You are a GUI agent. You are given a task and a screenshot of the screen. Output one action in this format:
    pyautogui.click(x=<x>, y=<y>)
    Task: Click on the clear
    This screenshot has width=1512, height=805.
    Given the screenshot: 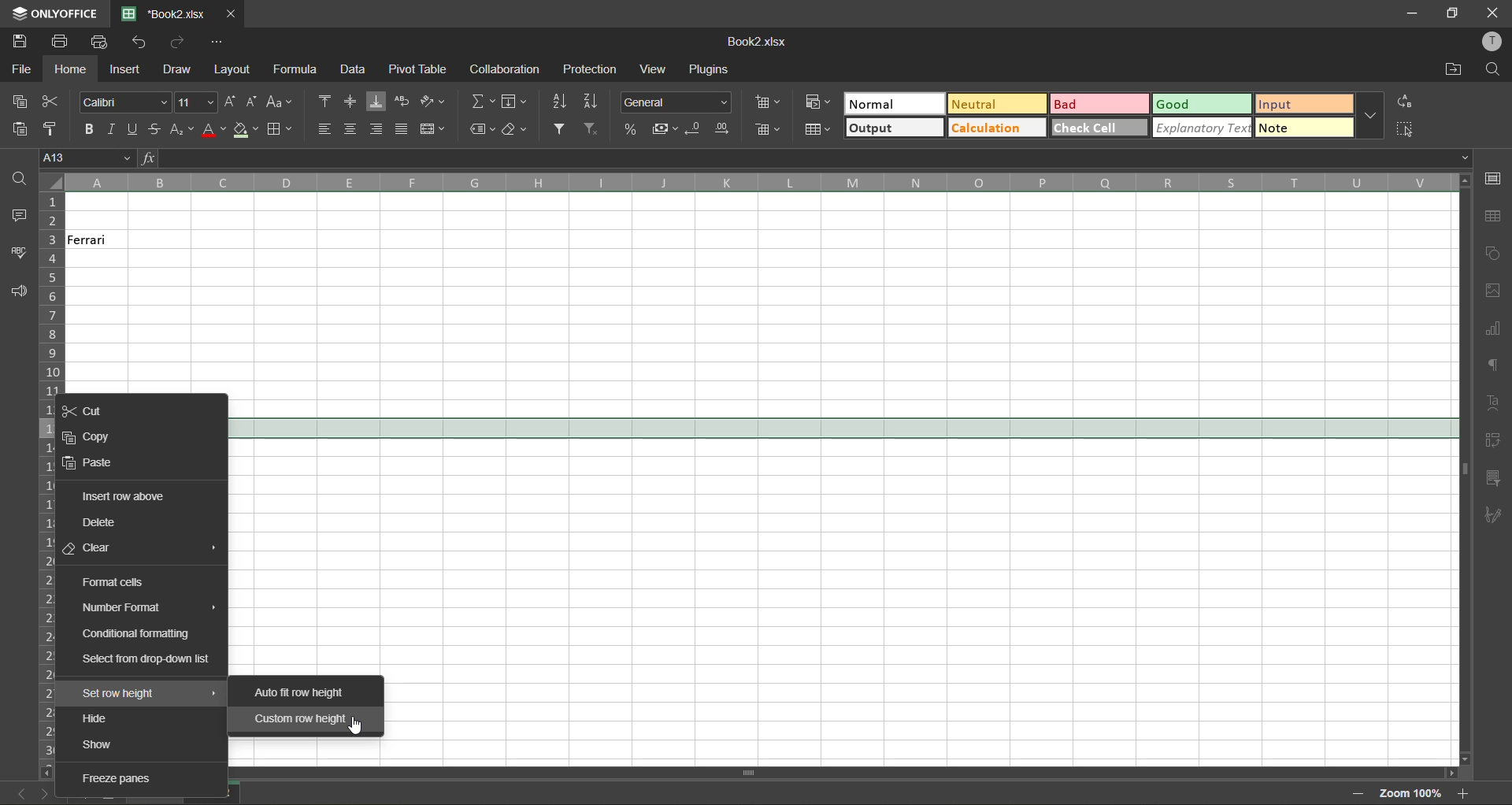 What is the action you would take?
    pyautogui.click(x=140, y=550)
    